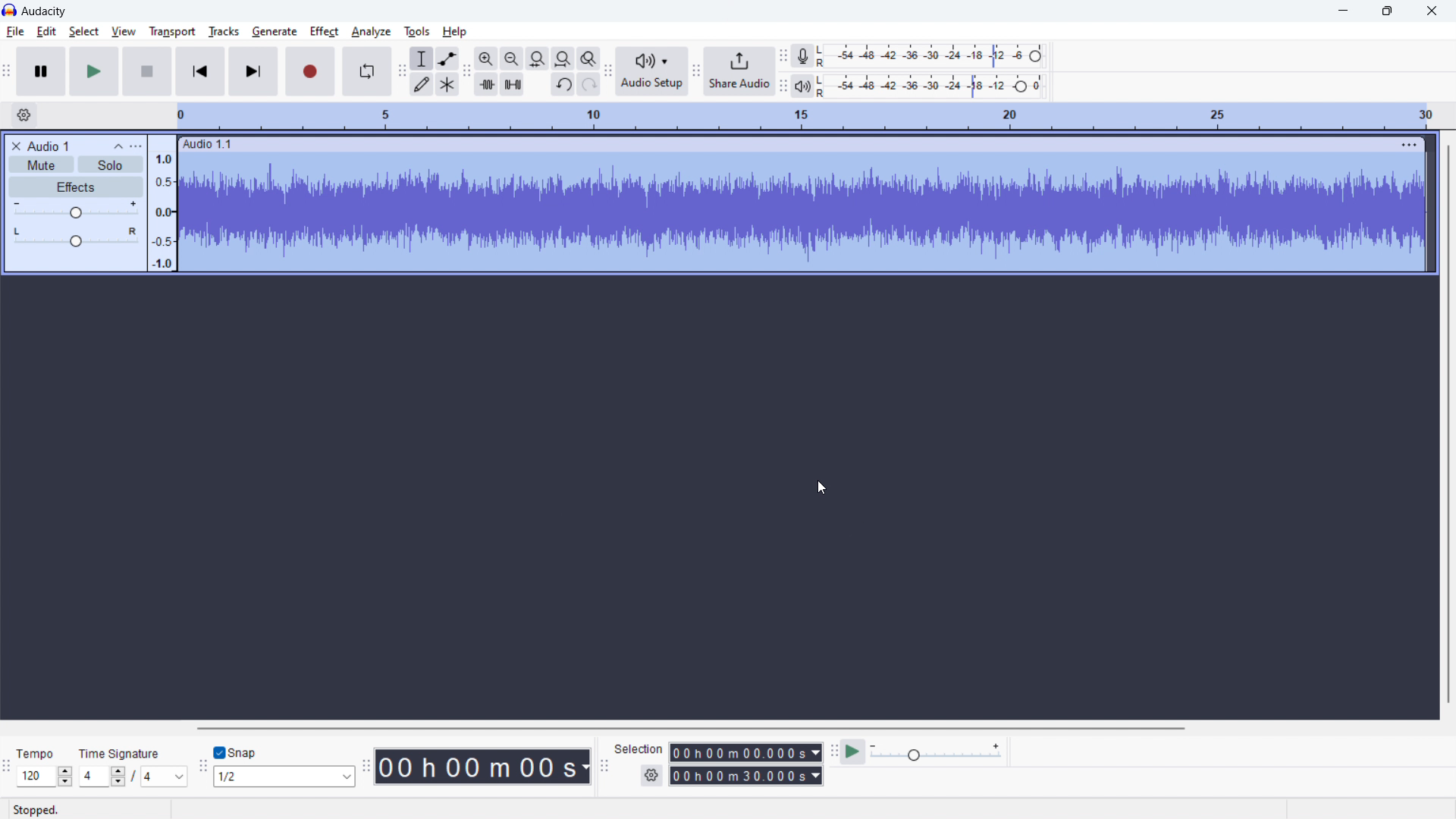 Image resolution: width=1456 pixels, height=819 pixels. Describe the element at coordinates (237, 752) in the screenshot. I see `toggle snap` at that location.